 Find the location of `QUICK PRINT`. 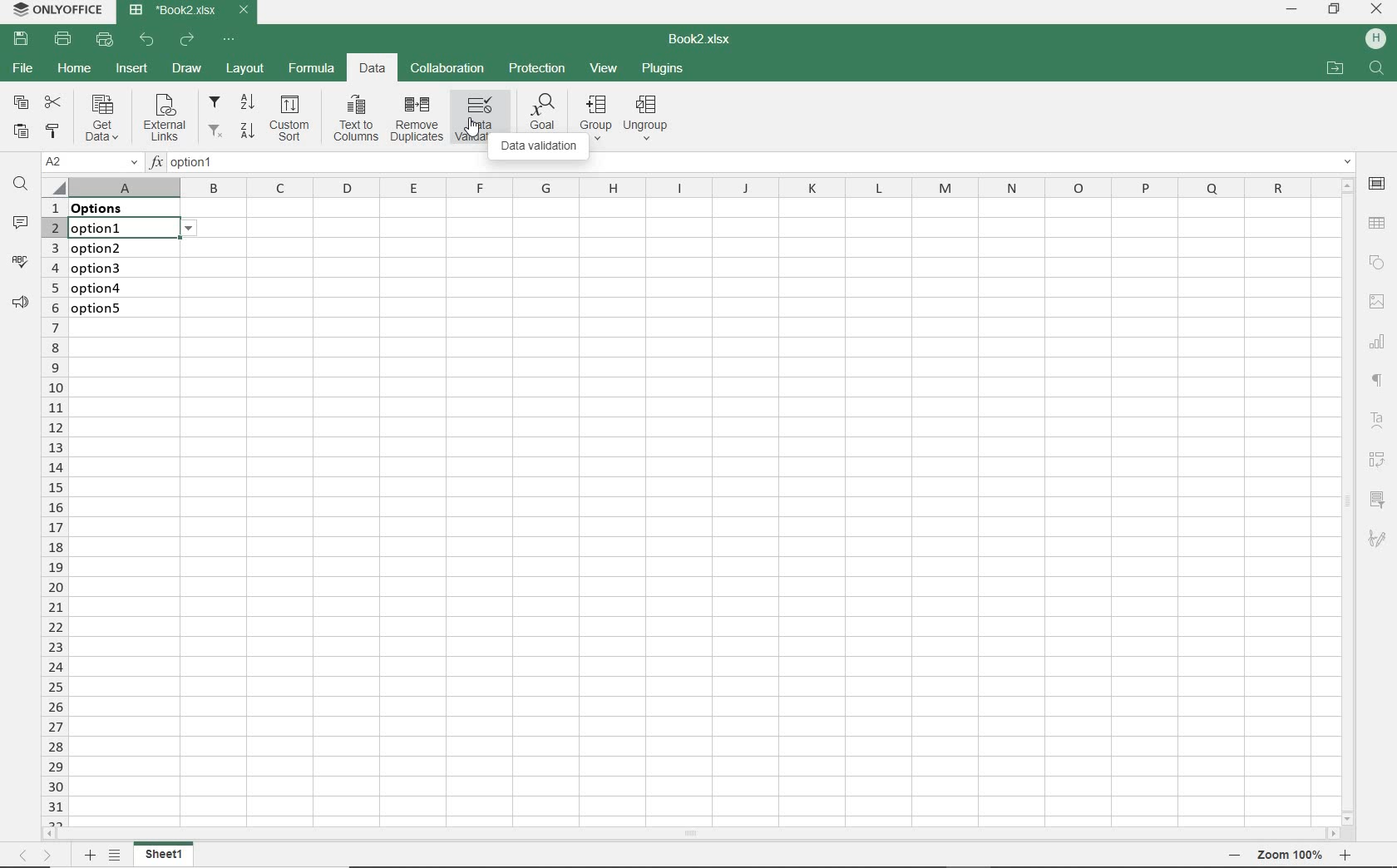

QUICK PRINT is located at coordinates (105, 40).